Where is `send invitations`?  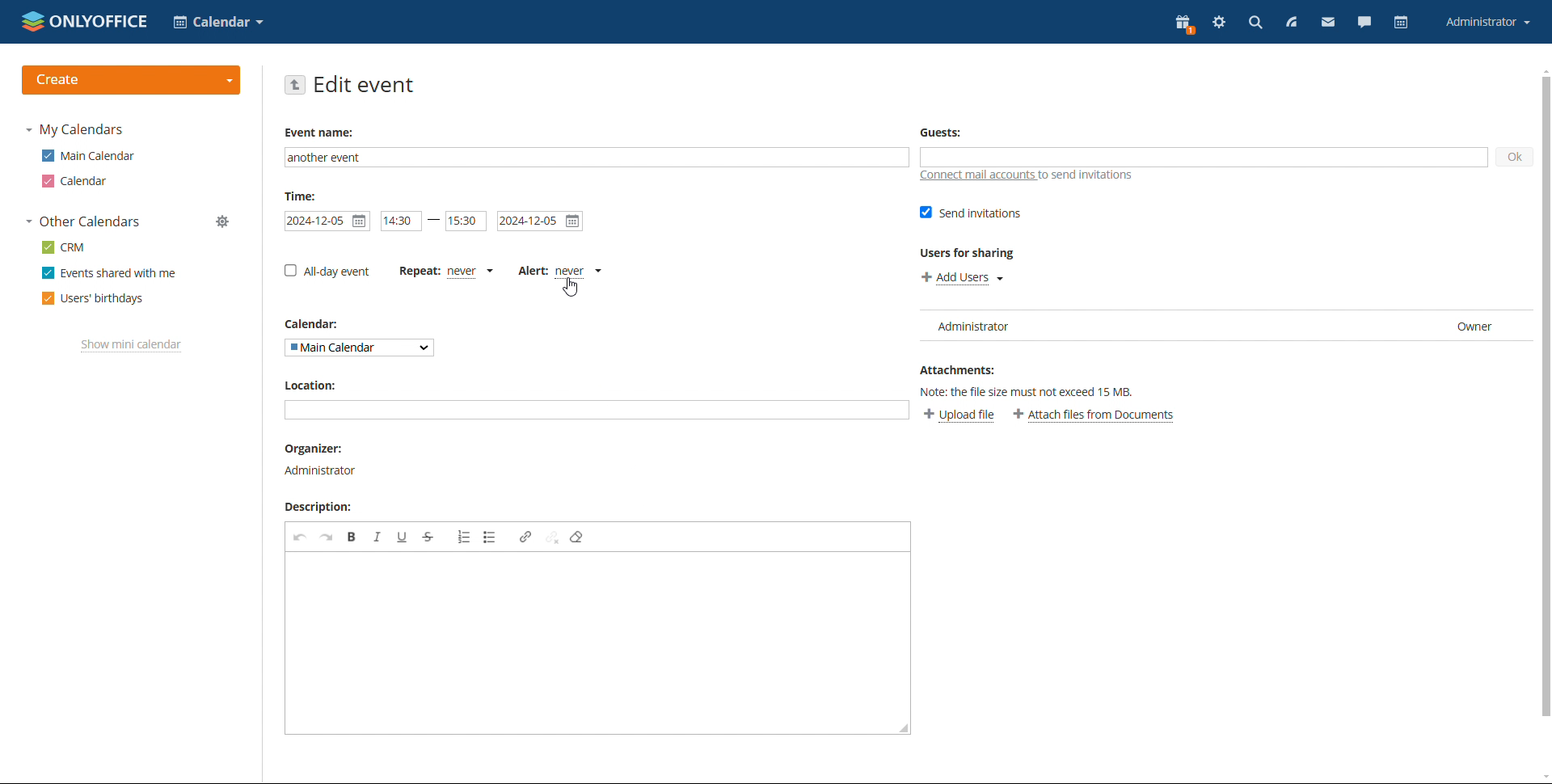 send invitations is located at coordinates (972, 213).